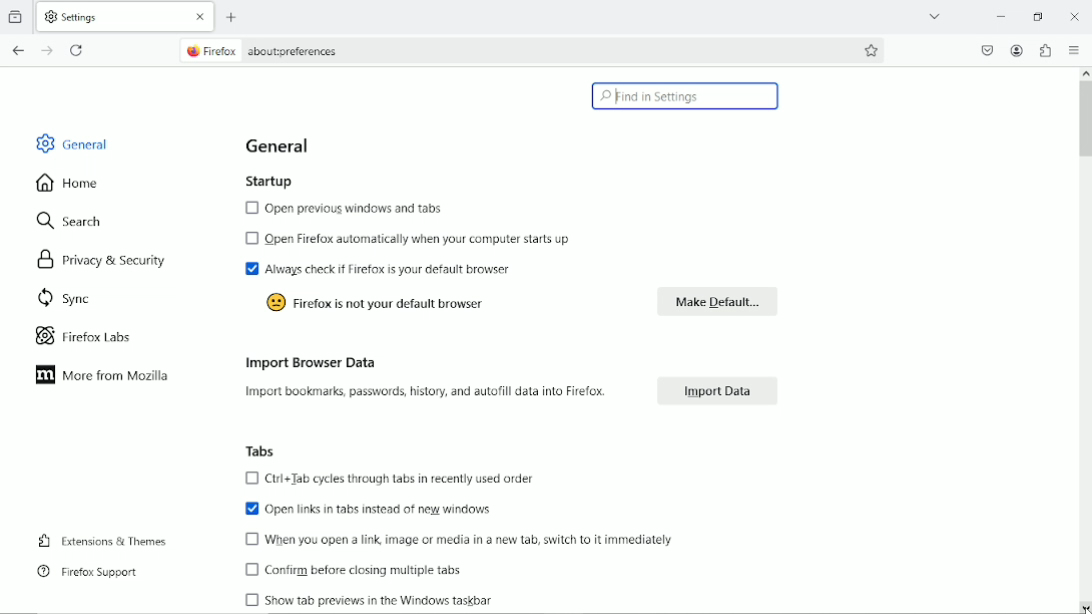  What do you see at coordinates (19, 48) in the screenshot?
I see `go back` at bounding box center [19, 48].